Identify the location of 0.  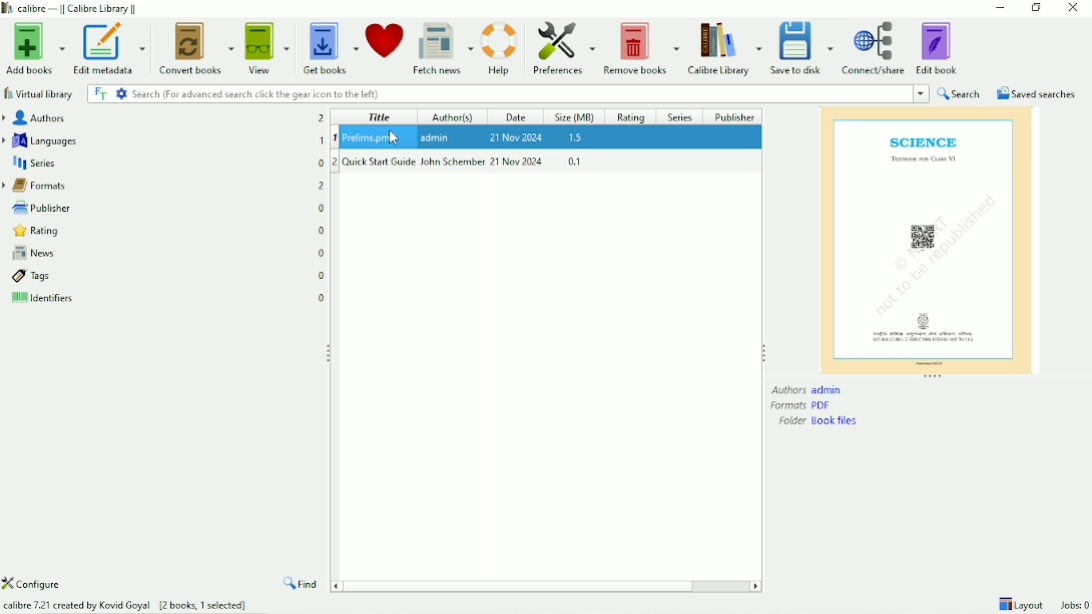
(322, 208).